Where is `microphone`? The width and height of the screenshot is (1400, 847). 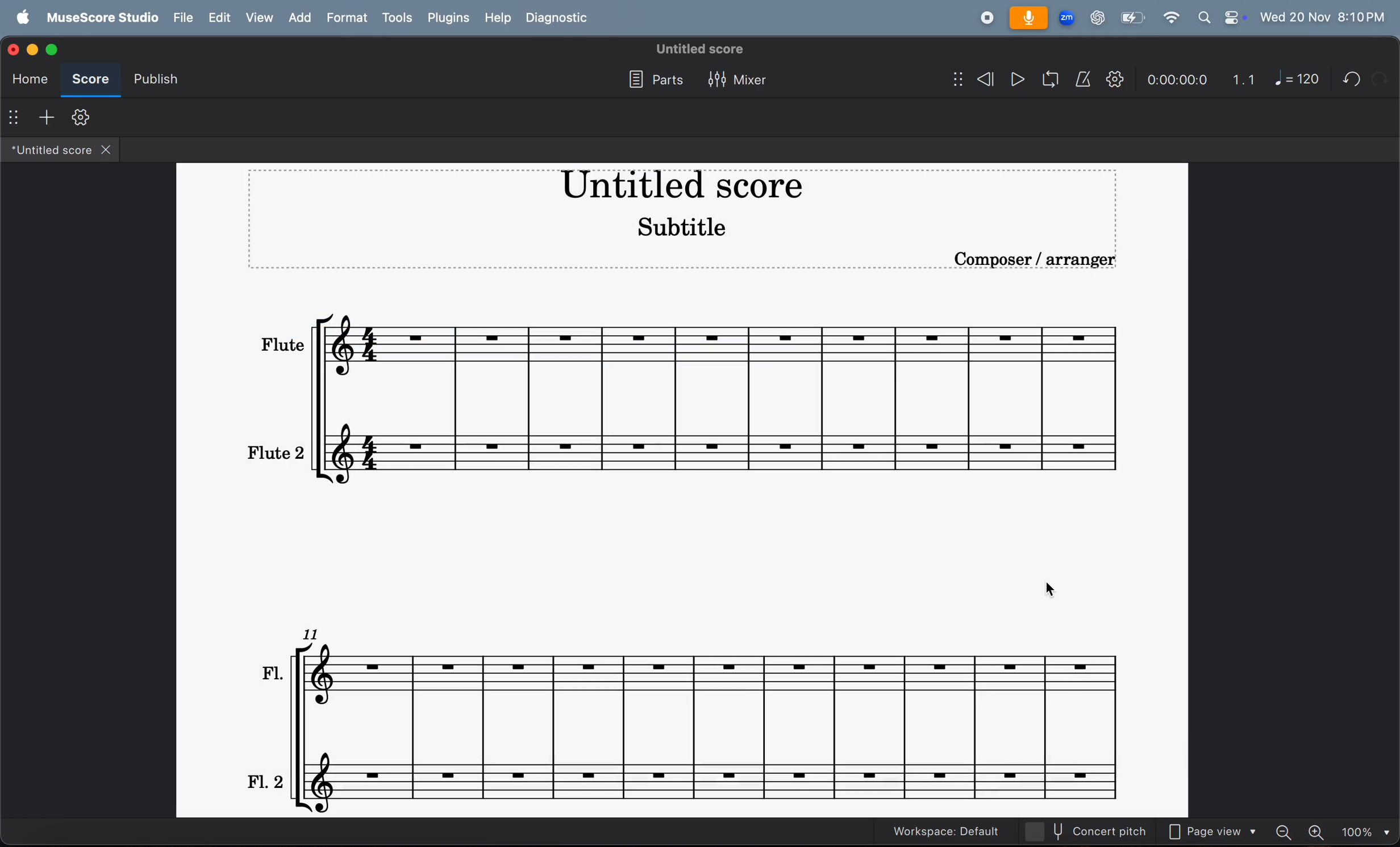 microphone is located at coordinates (1028, 19).